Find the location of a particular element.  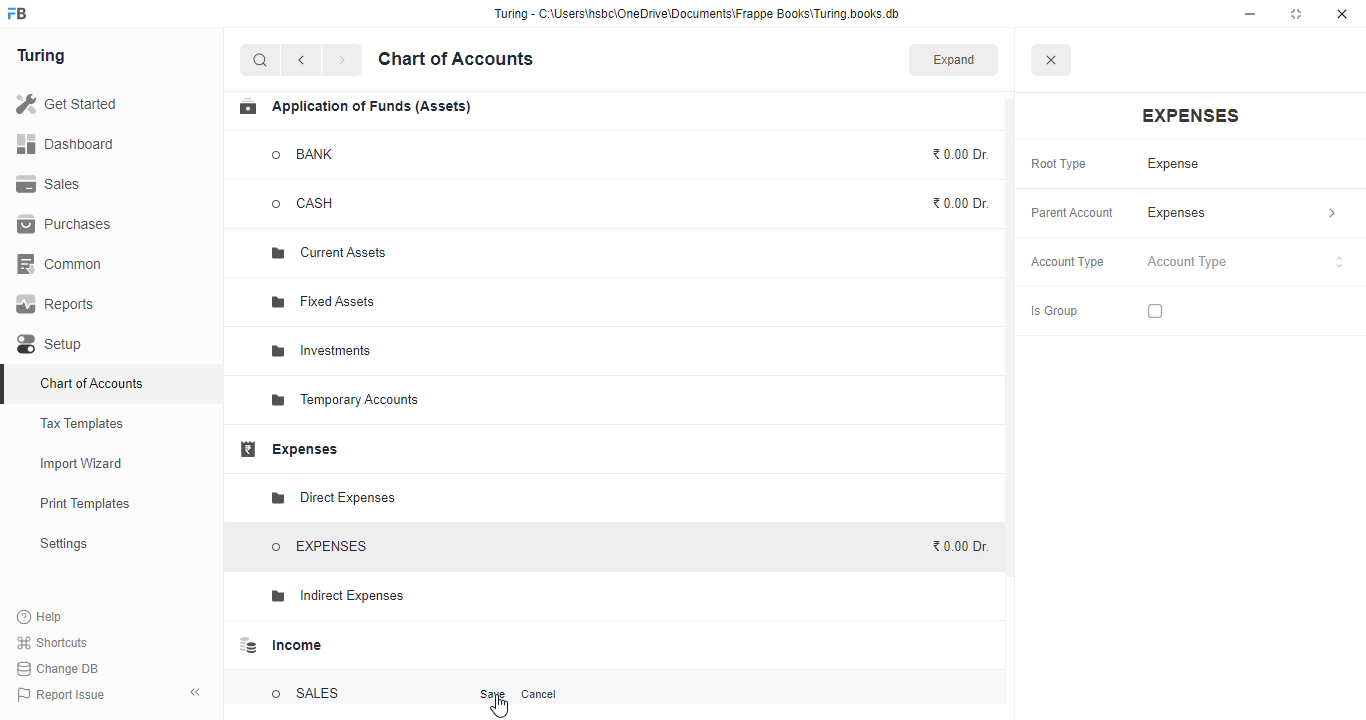

report issue is located at coordinates (60, 694).